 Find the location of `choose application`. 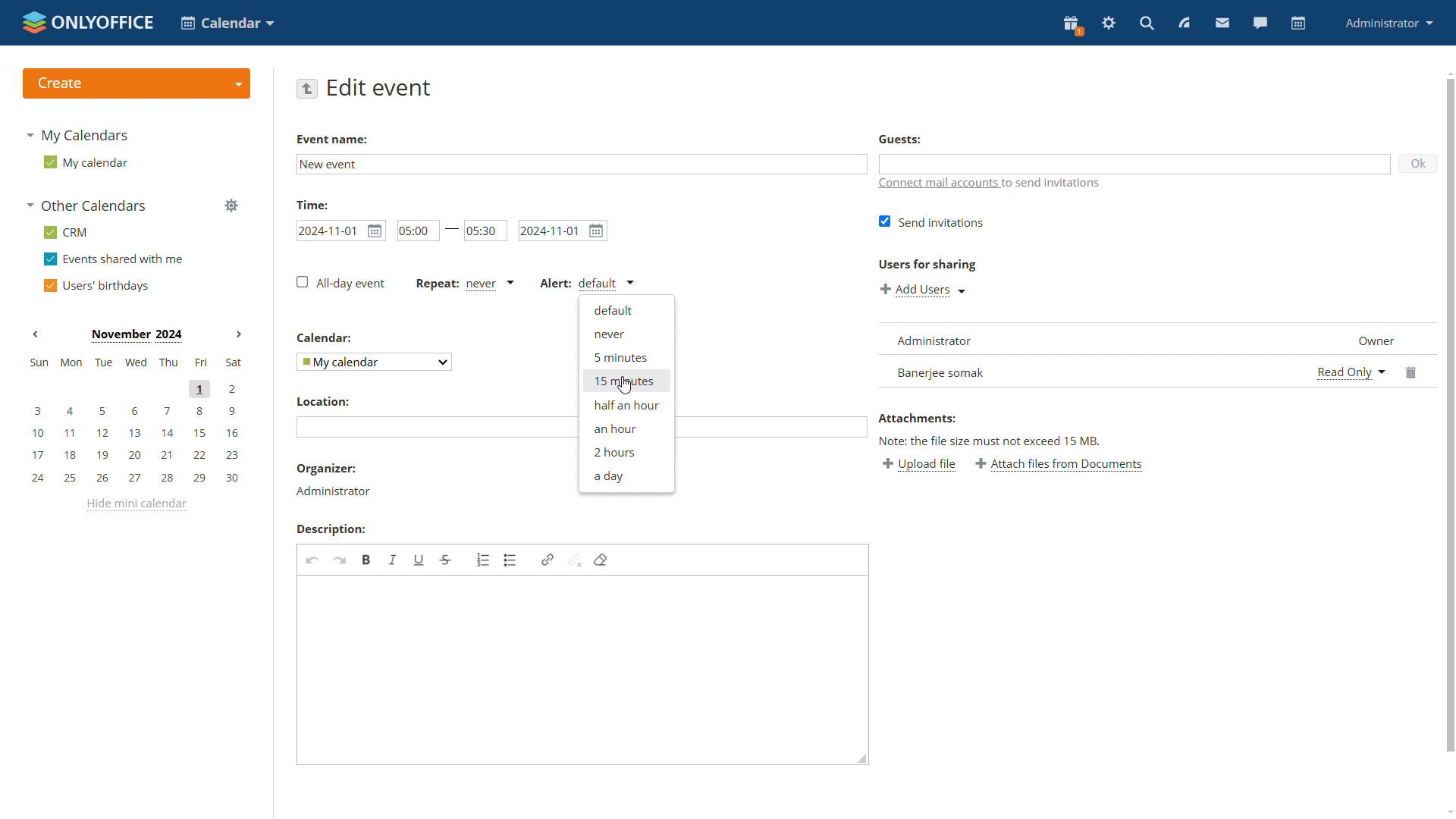

choose application is located at coordinates (226, 22).